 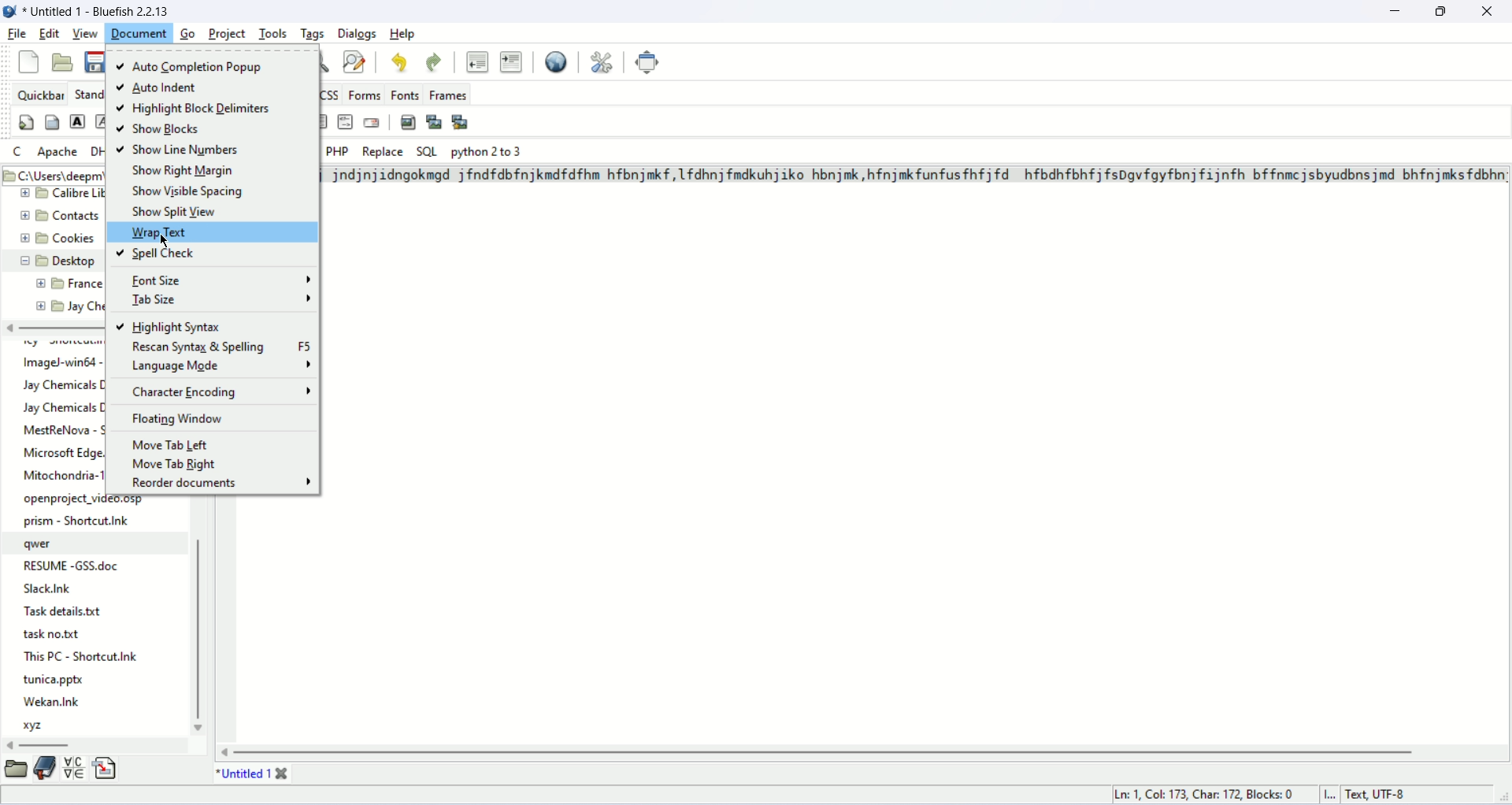 What do you see at coordinates (101, 122) in the screenshot?
I see `emphasis` at bounding box center [101, 122].